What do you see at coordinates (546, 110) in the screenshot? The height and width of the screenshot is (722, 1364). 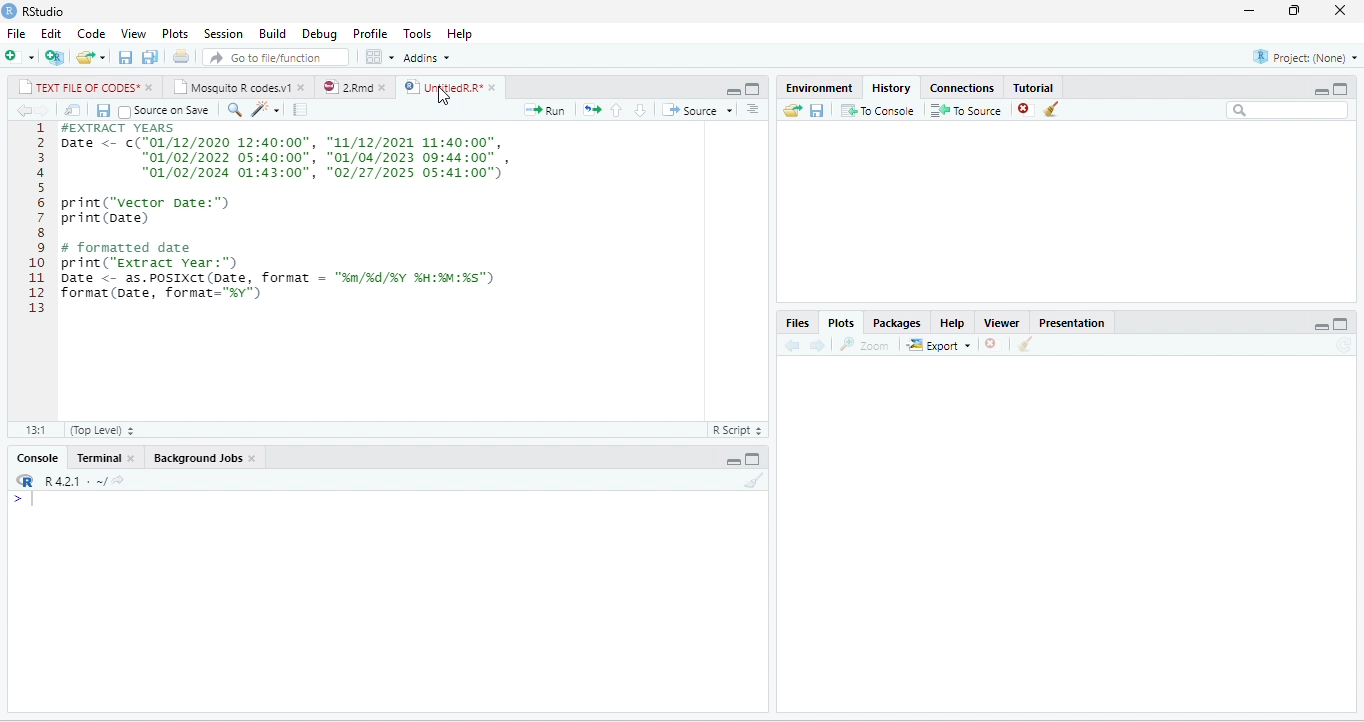 I see `run` at bounding box center [546, 110].